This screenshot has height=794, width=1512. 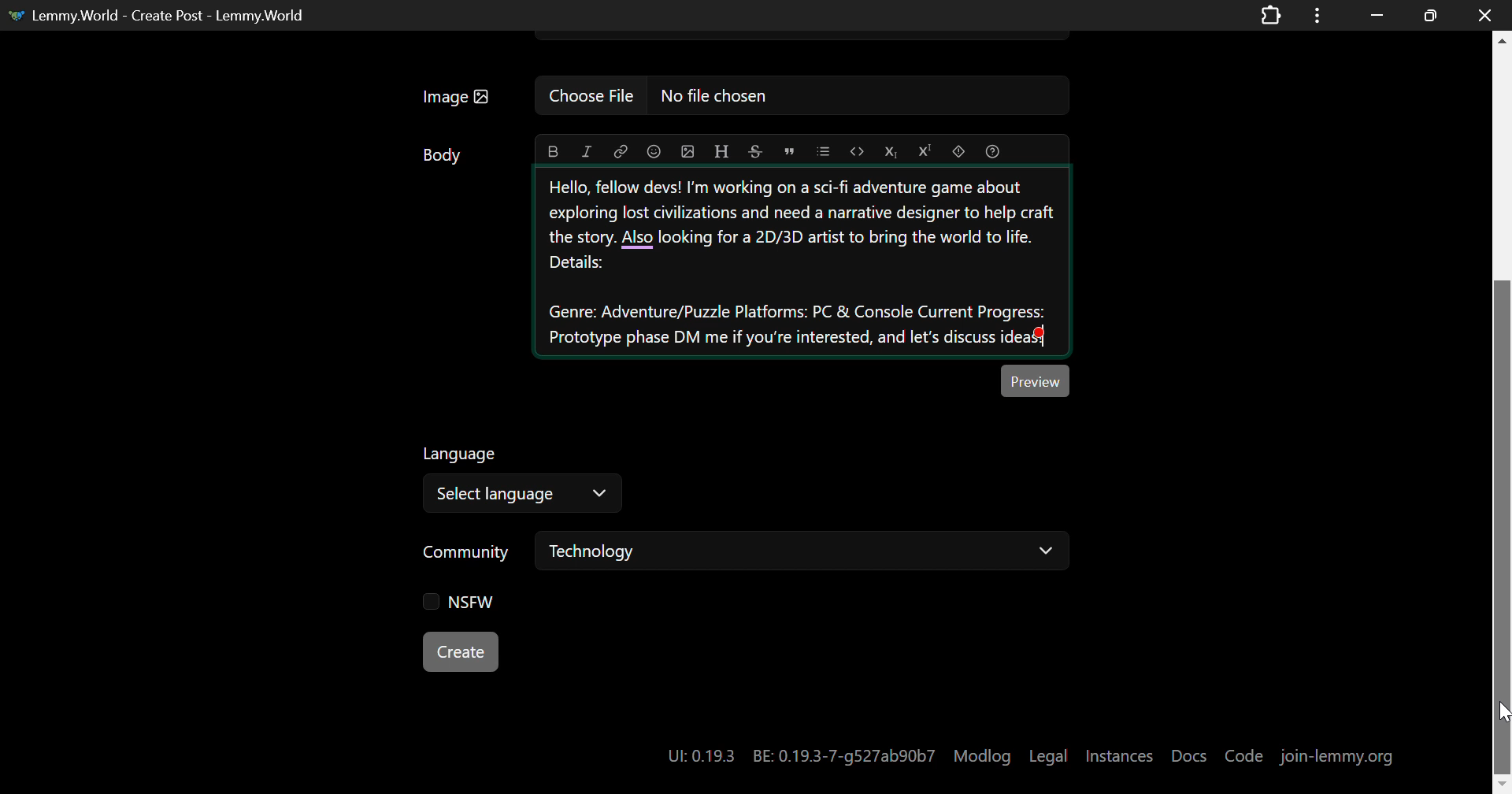 What do you see at coordinates (1270, 14) in the screenshot?
I see `Extensions` at bounding box center [1270, 14].